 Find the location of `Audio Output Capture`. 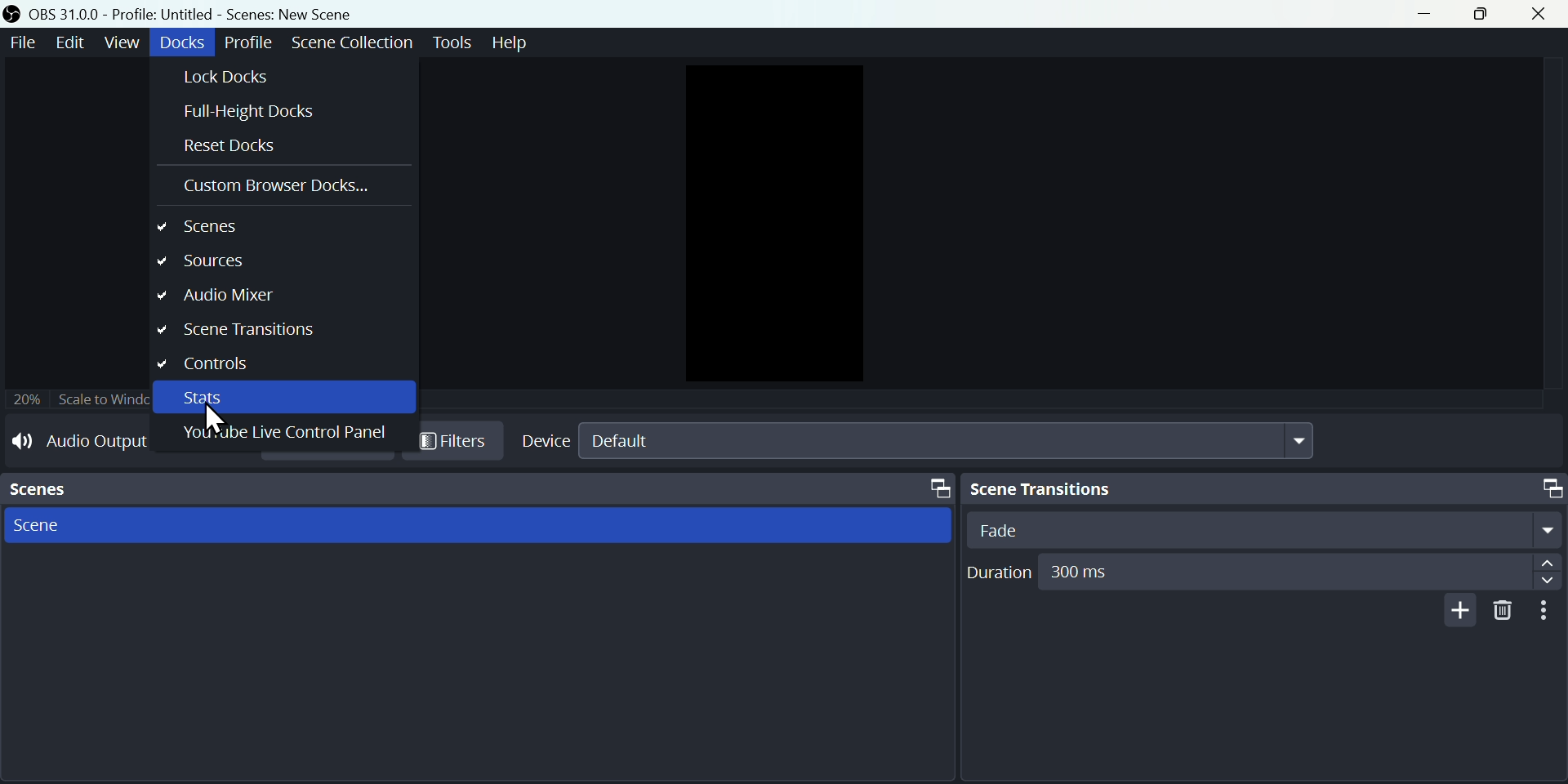

Audio Output Capture is located at coordinates (73, 443).